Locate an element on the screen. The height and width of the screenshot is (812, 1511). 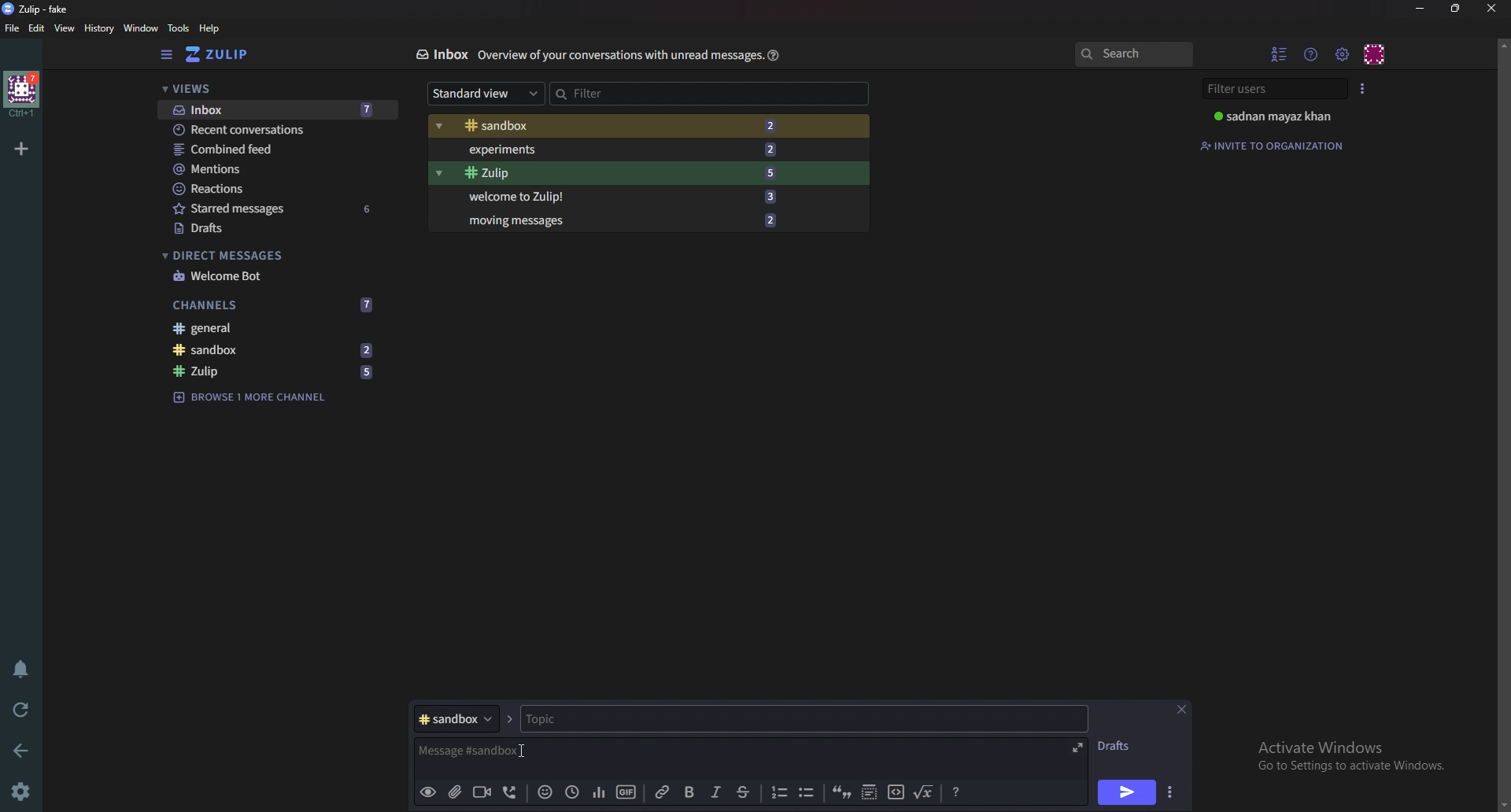
close is located at coordinates (1491, 8).